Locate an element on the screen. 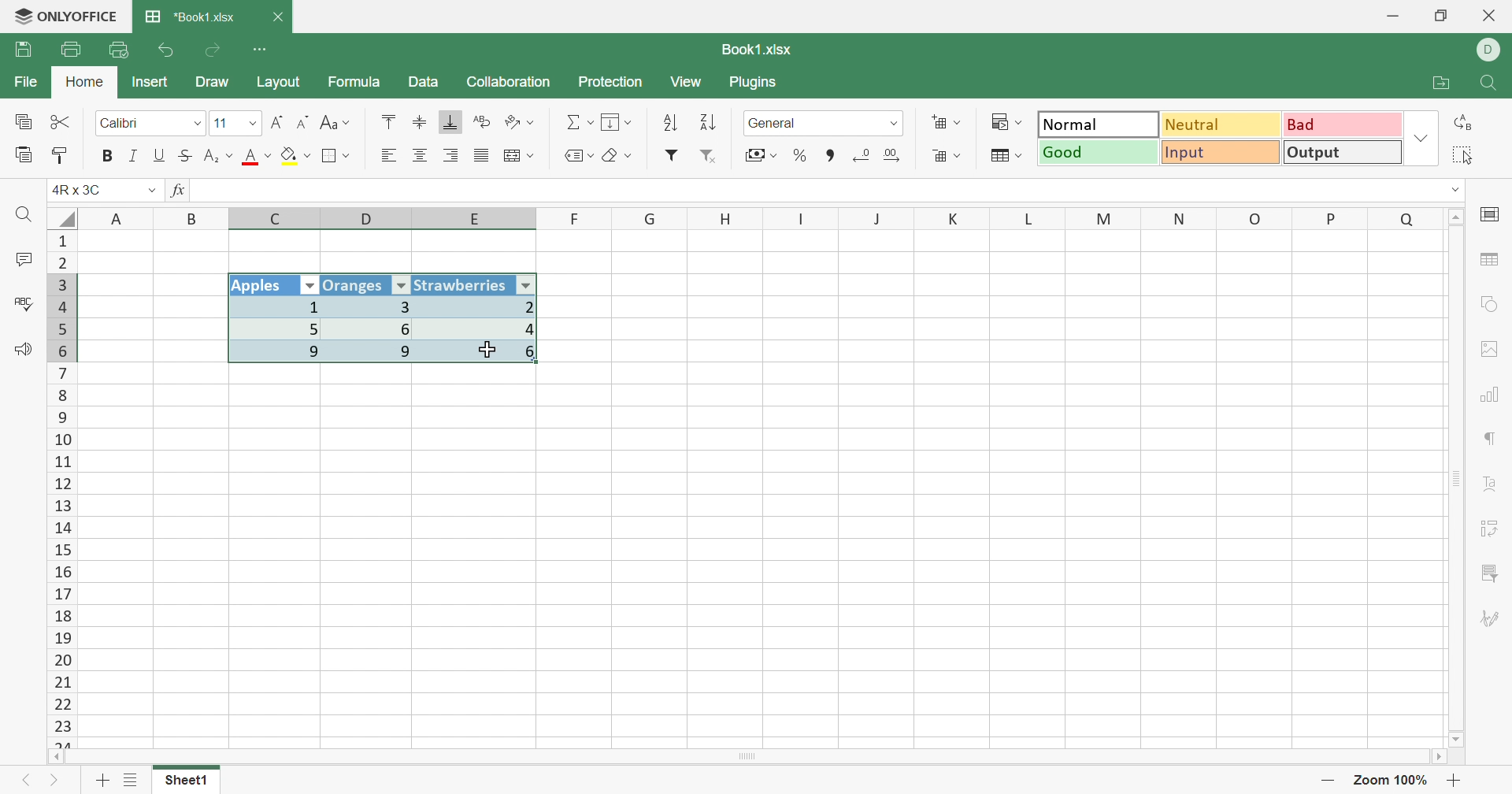 Image resolution: width=1512 pixels, height=794 pixels. Orientation is located at coordinates (522, 122).